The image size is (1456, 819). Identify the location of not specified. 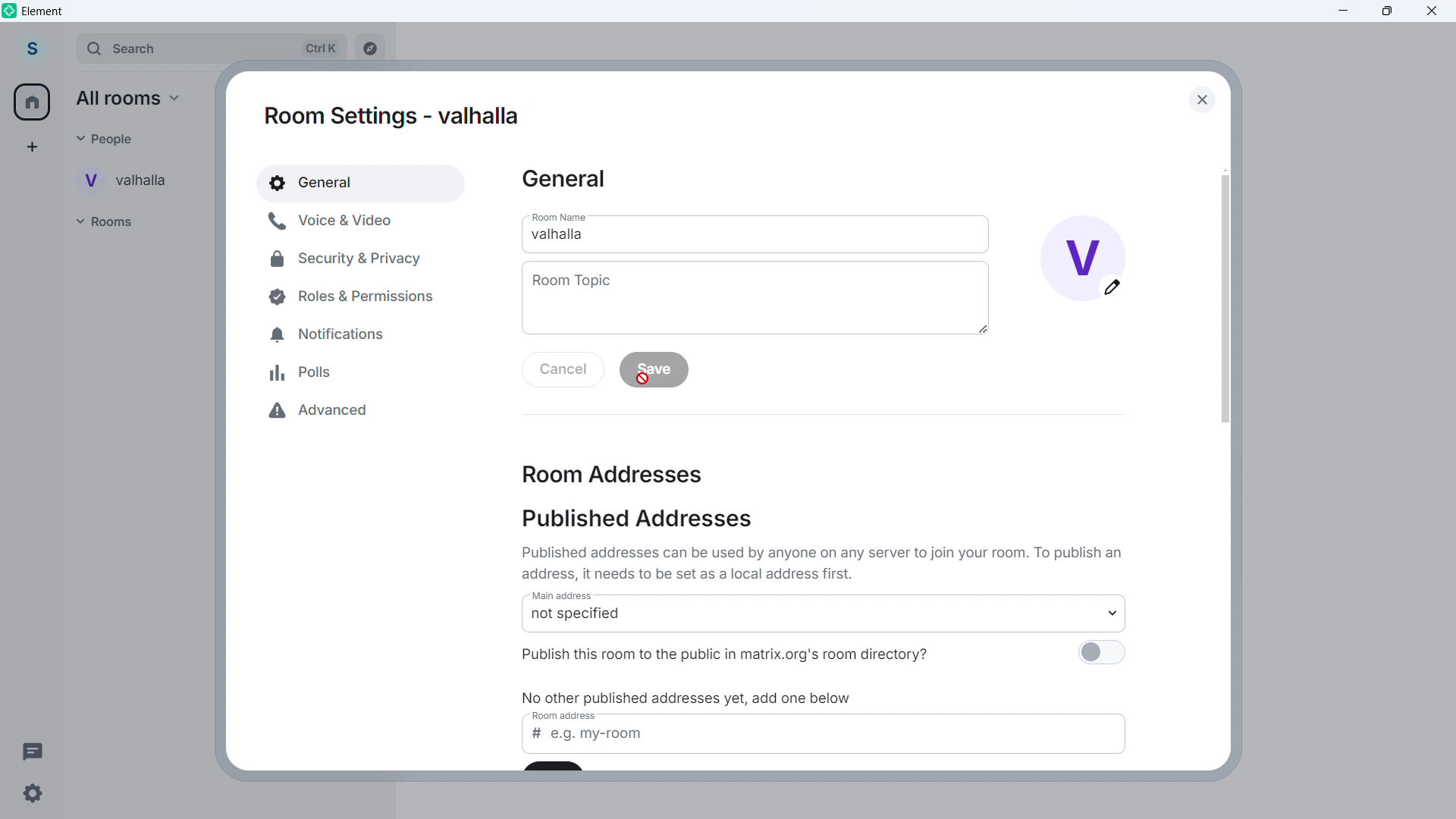
(827, 620).